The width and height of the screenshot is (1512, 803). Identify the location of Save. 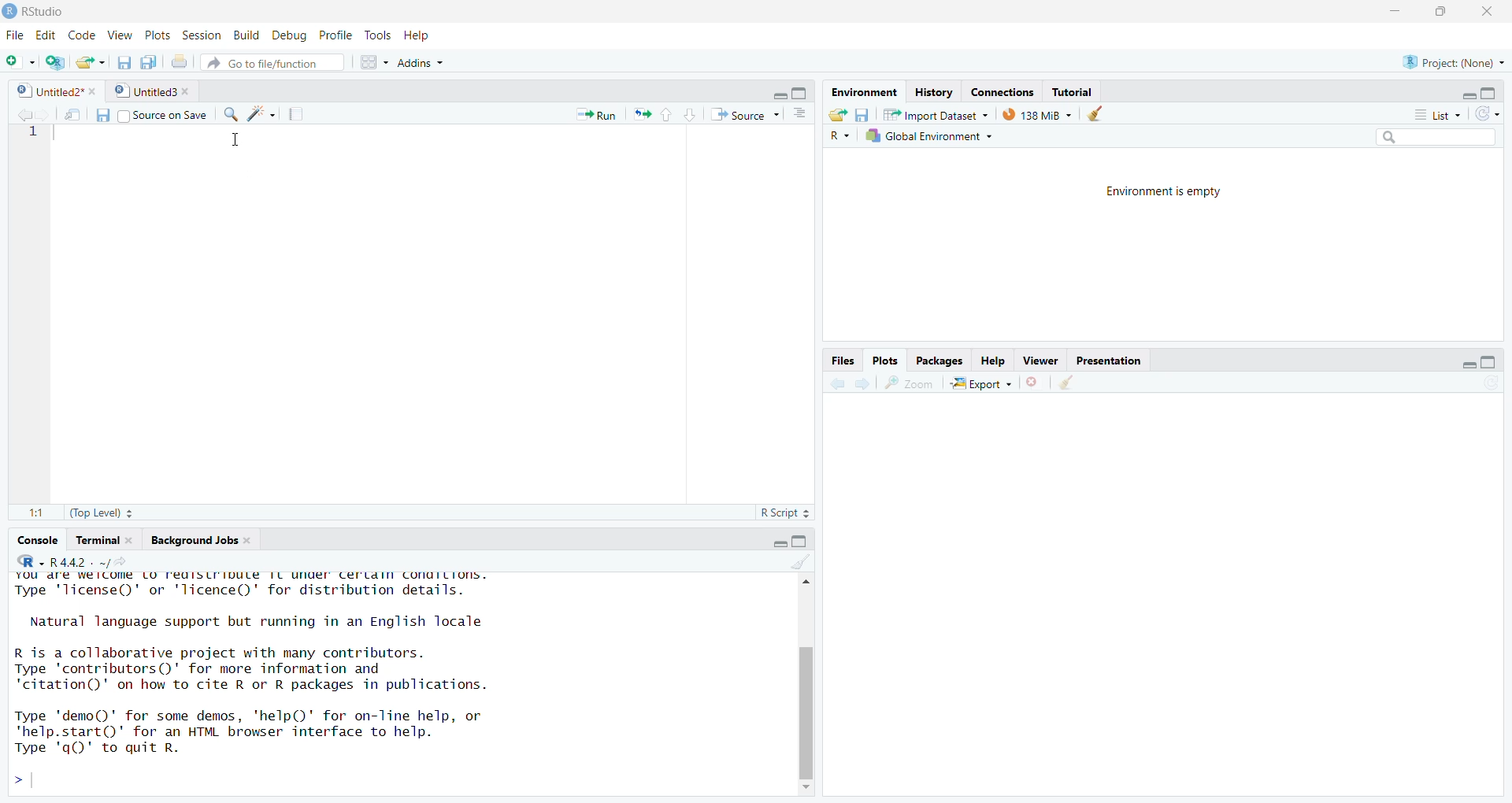
(102, 114).